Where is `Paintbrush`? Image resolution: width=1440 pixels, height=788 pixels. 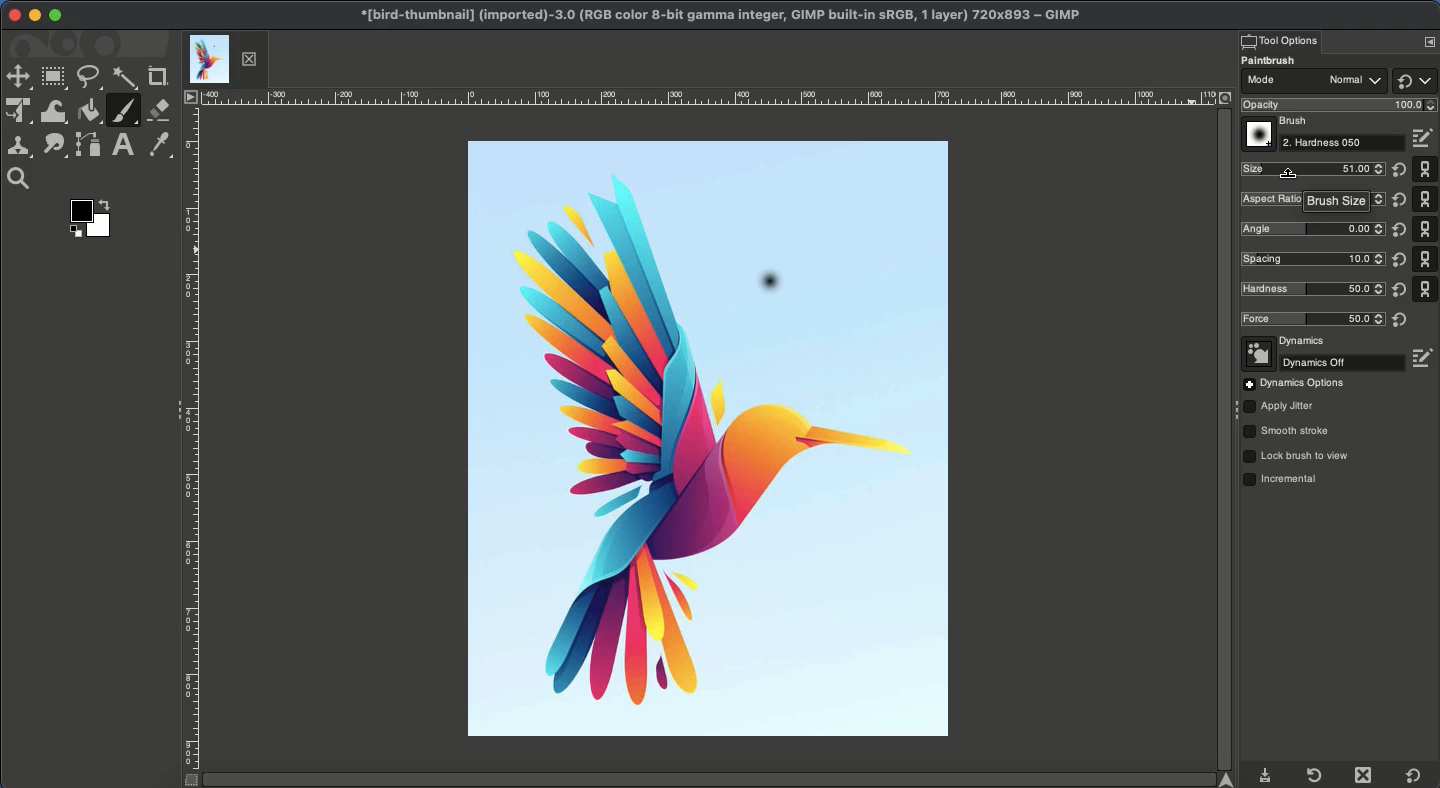
Paintbrush is located at coordinates (1281, 61).